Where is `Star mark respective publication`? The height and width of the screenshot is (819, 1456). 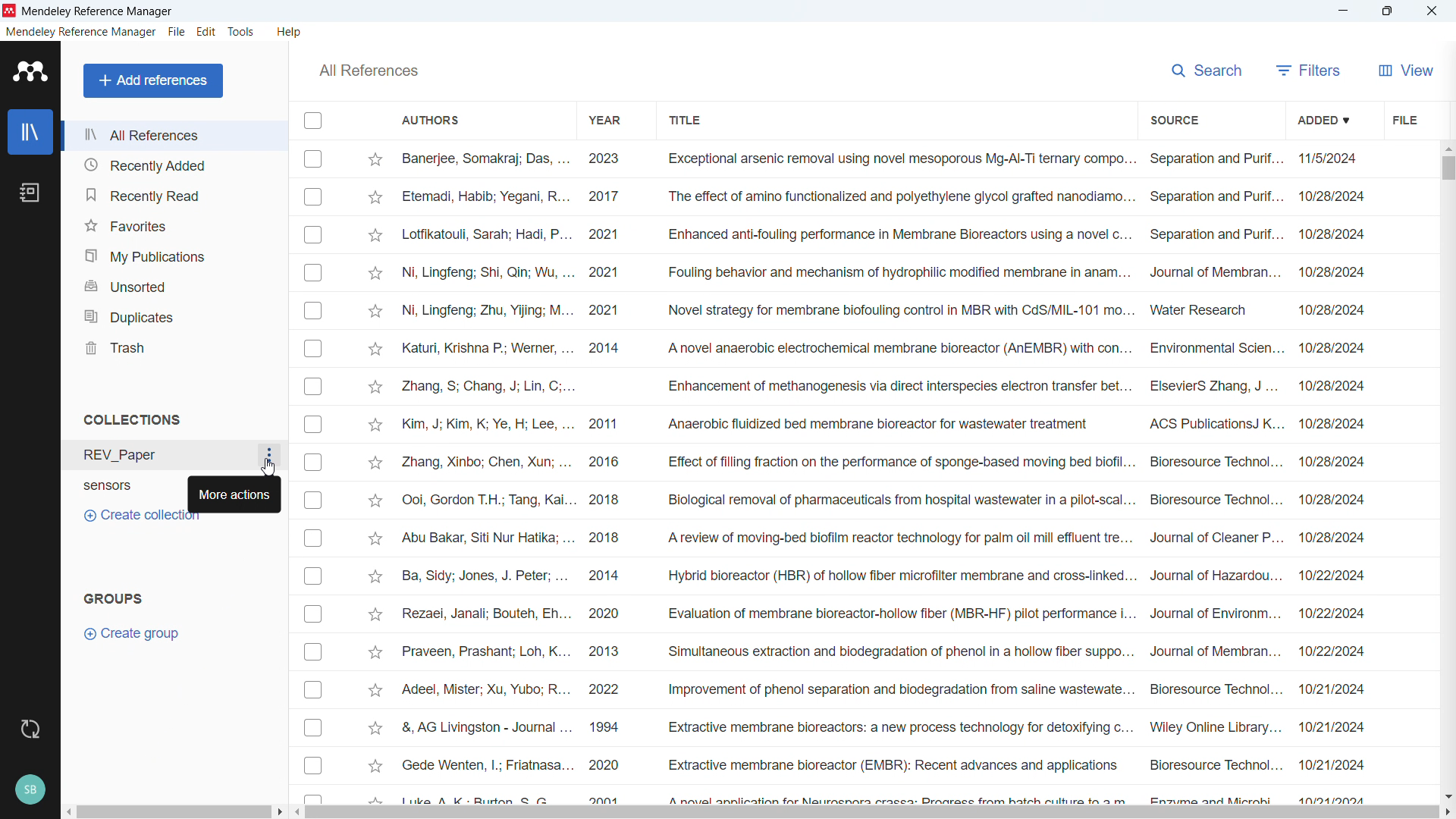
Star mark respective publication is located at coordinates (375, 538).